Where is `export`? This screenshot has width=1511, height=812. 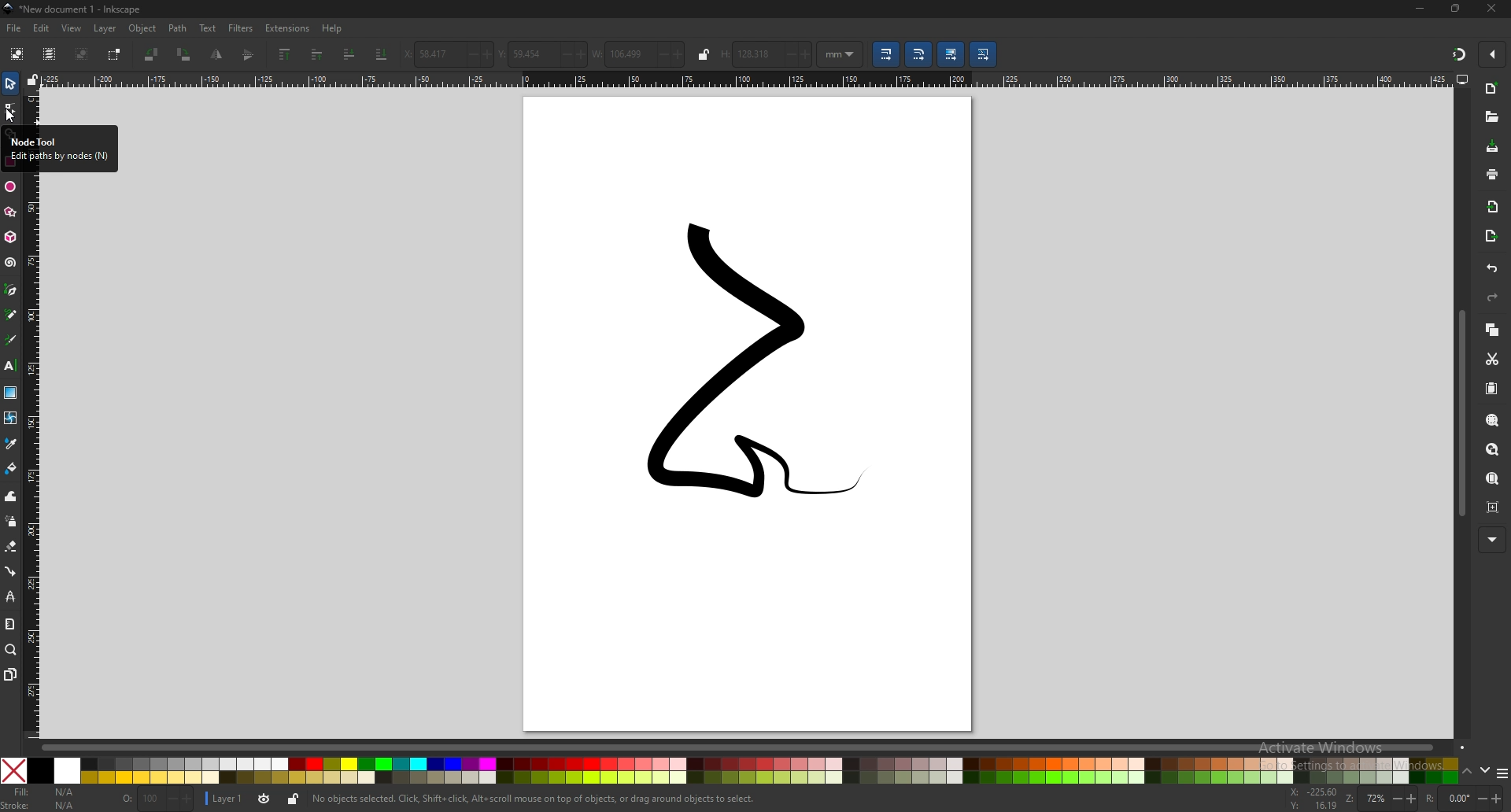 export is located at coordinates (1491, 235).